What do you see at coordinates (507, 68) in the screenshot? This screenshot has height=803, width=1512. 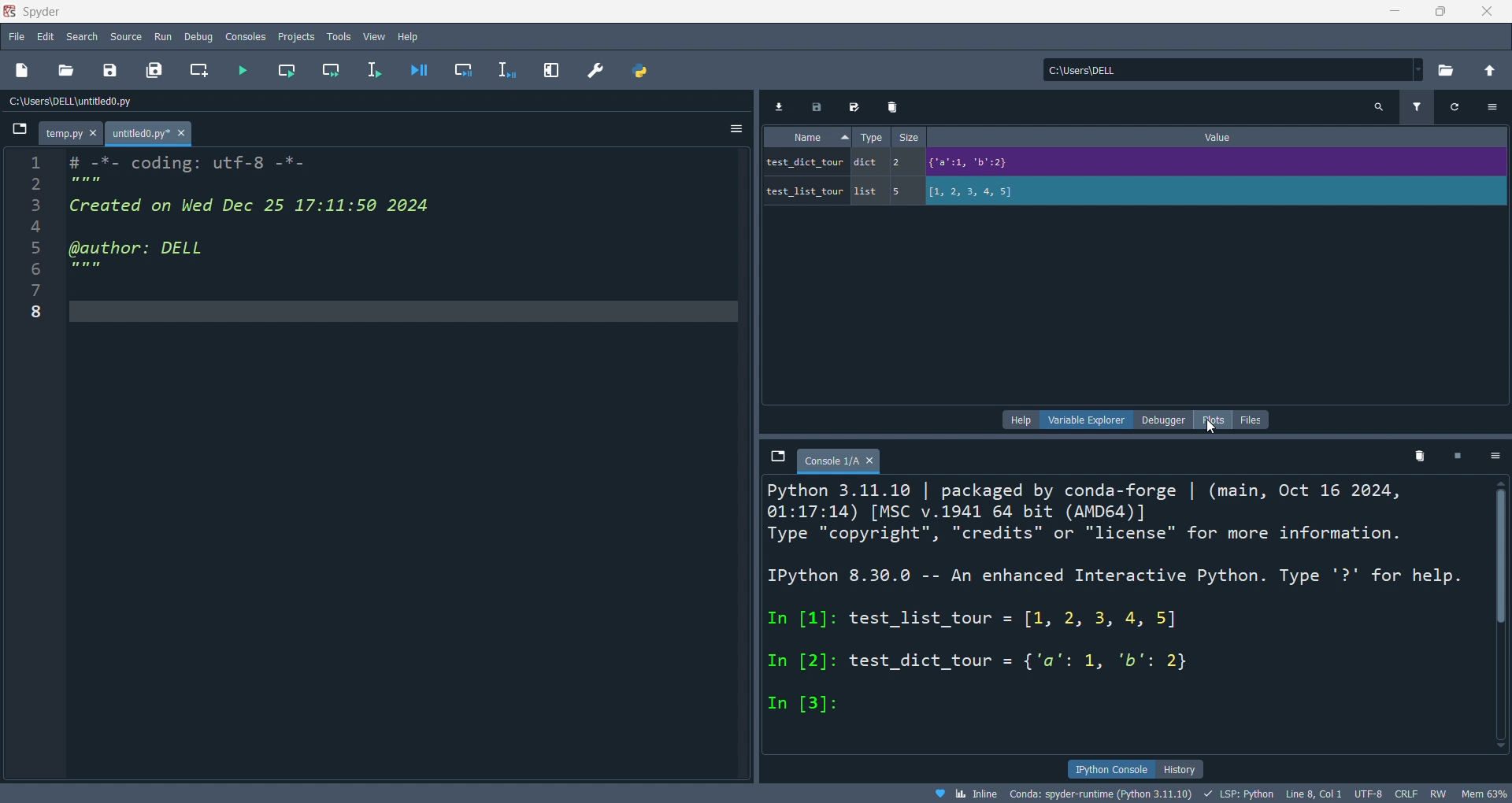 I see `debug line` at bounding box center [507, 68].